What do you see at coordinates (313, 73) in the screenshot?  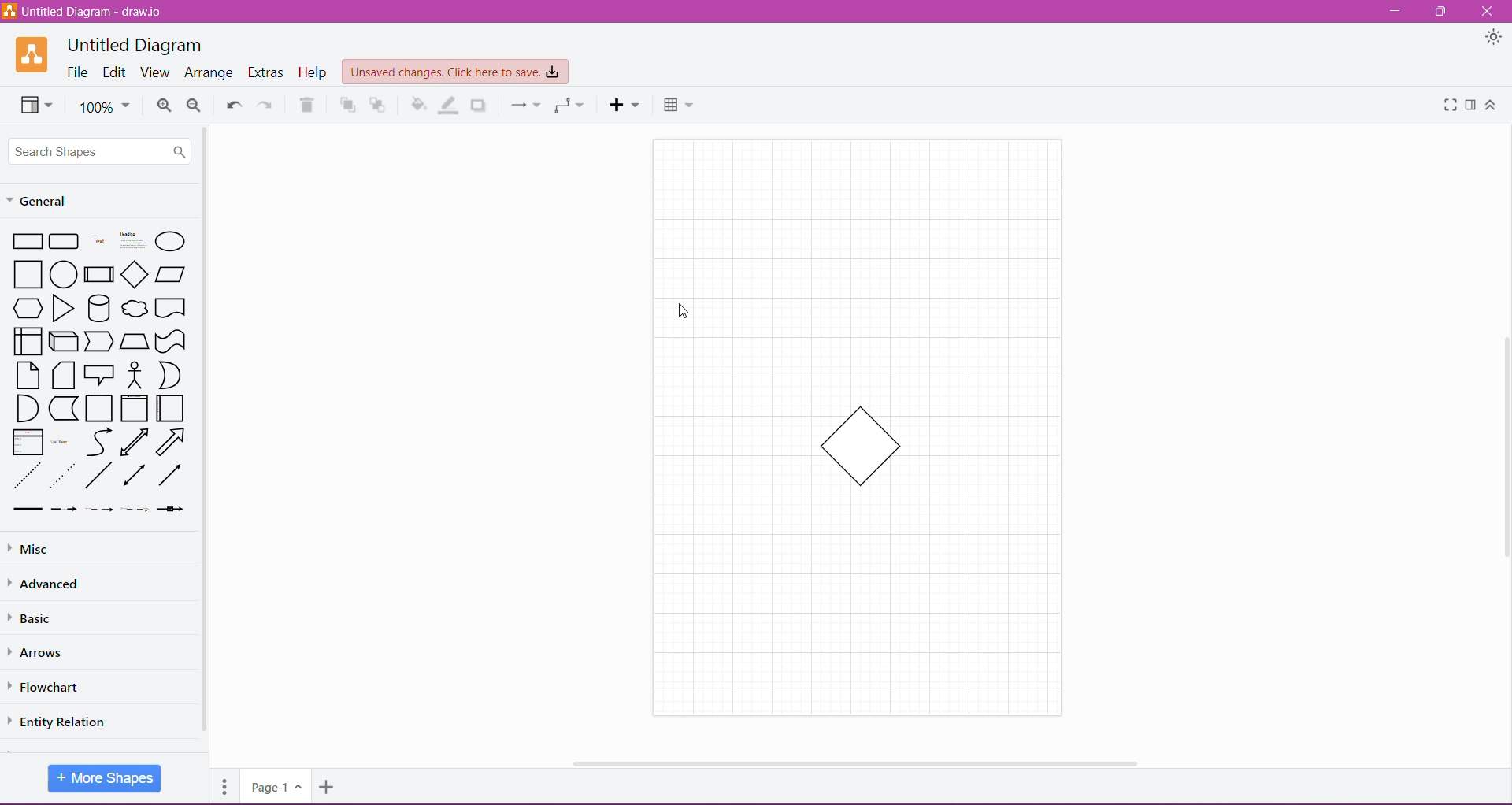 I see `Help` at bounding box center [313, 73].